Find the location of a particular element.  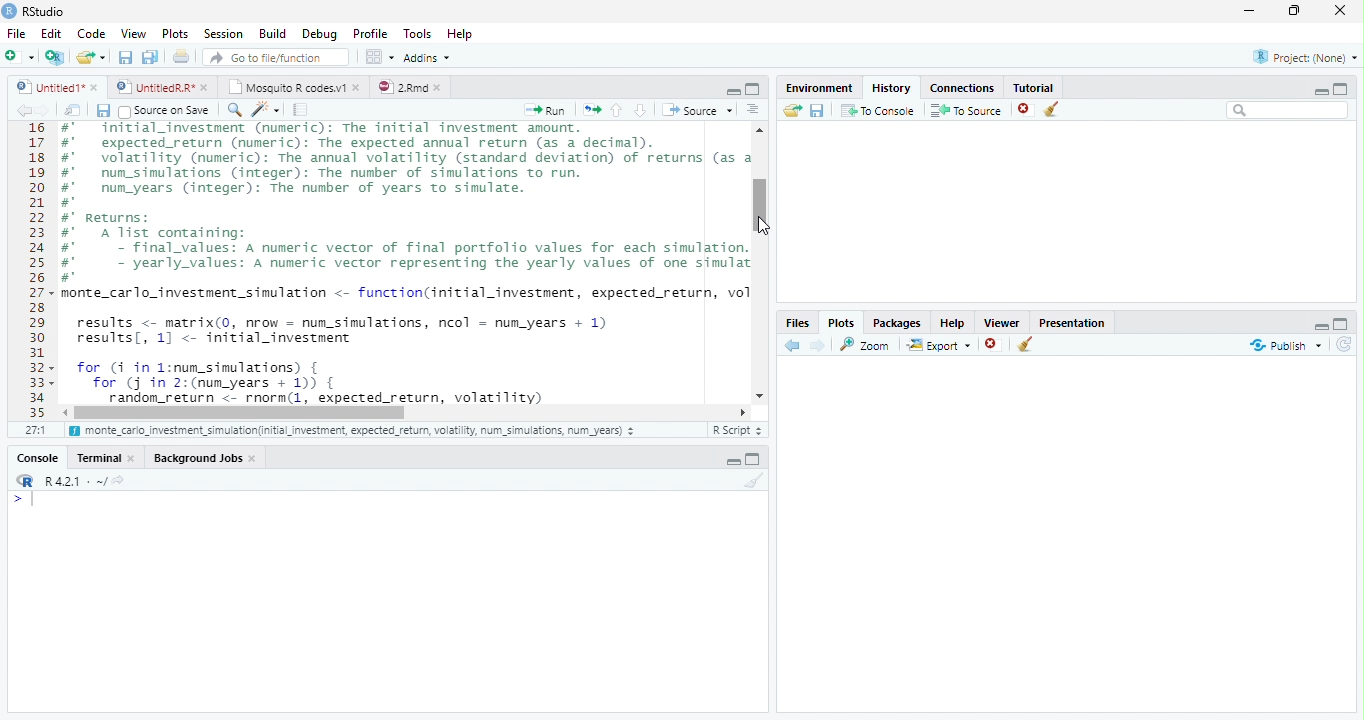

2.Rmd is located at coordinates (410, 87).